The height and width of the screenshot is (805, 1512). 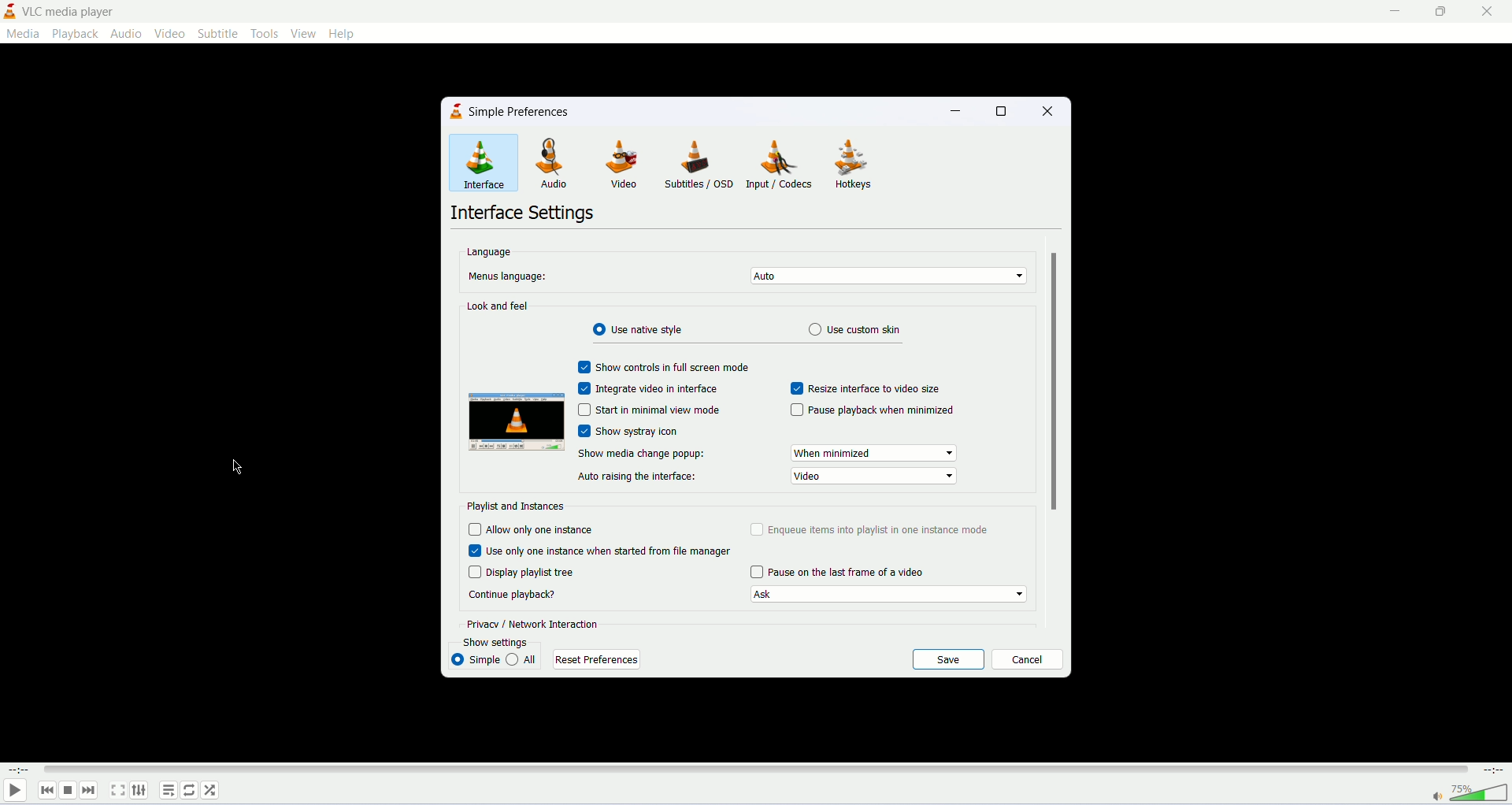 I want to click on Select media change pop up style, so click(x=874, y=453).